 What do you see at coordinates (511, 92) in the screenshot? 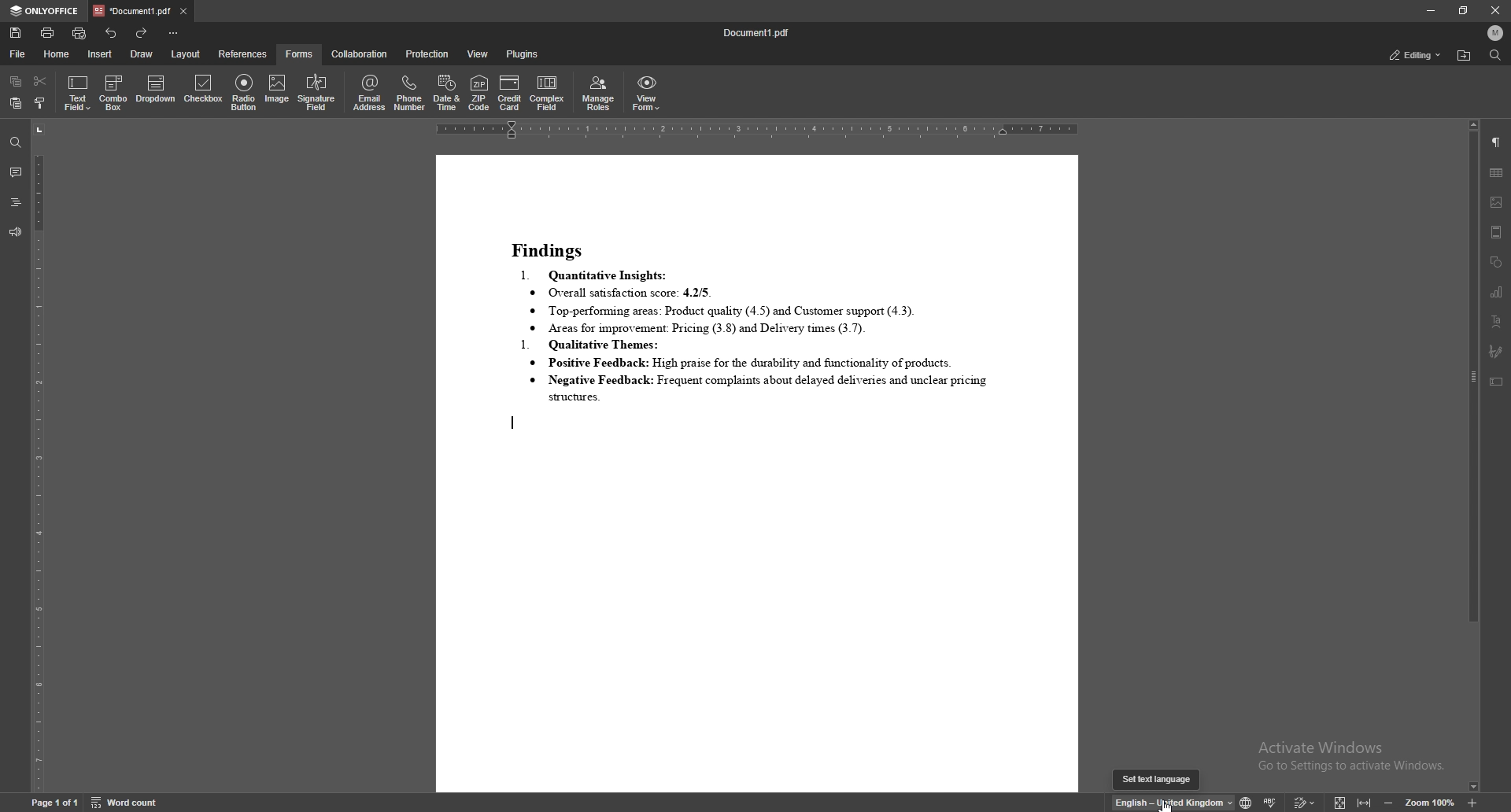
I see `credit card` at bounding box center [511, 92].